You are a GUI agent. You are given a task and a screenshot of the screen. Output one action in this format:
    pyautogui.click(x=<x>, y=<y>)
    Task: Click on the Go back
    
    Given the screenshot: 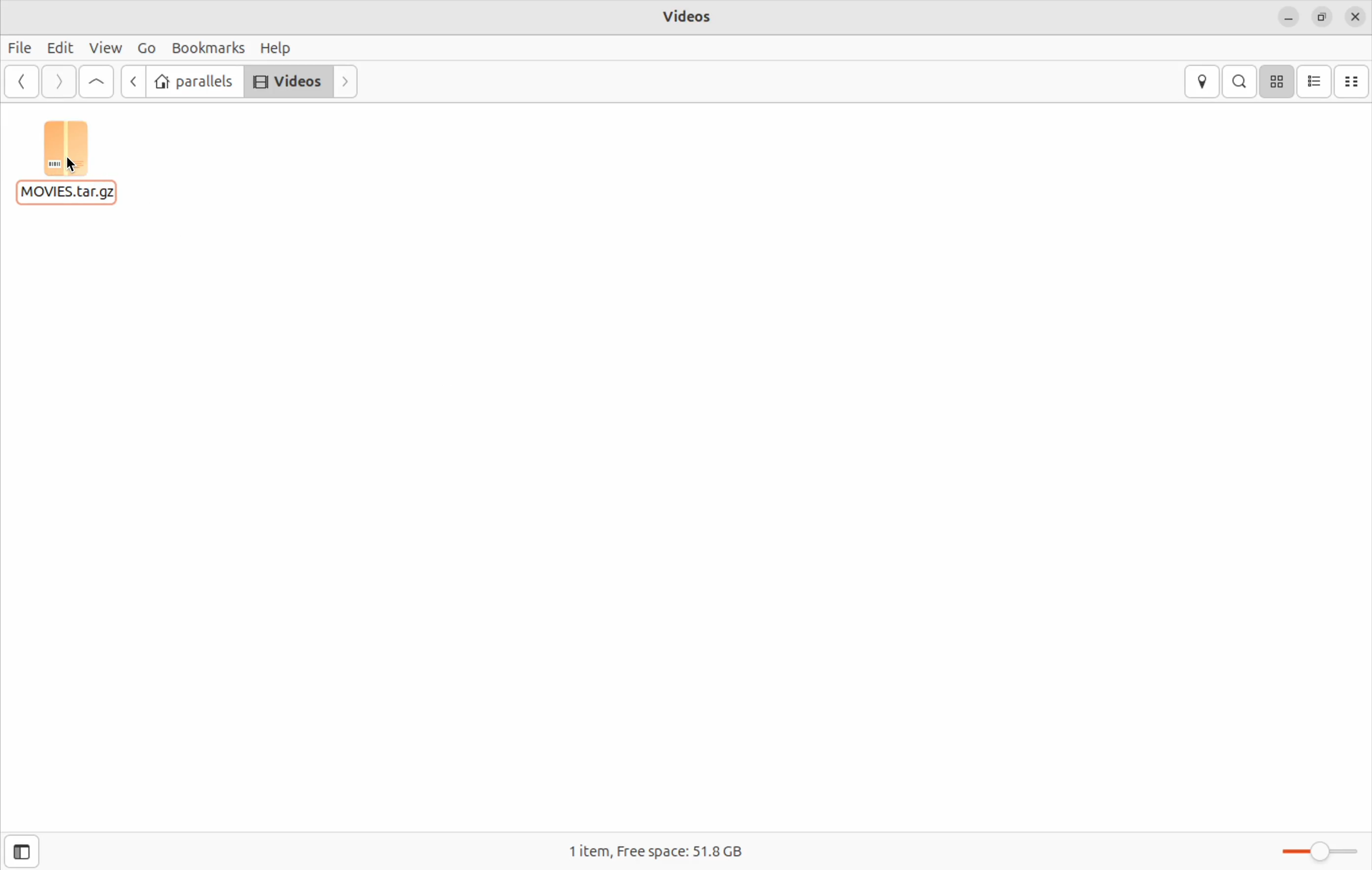 What is the action you would take?
    pyautogui.click(x=19, y=83)
    